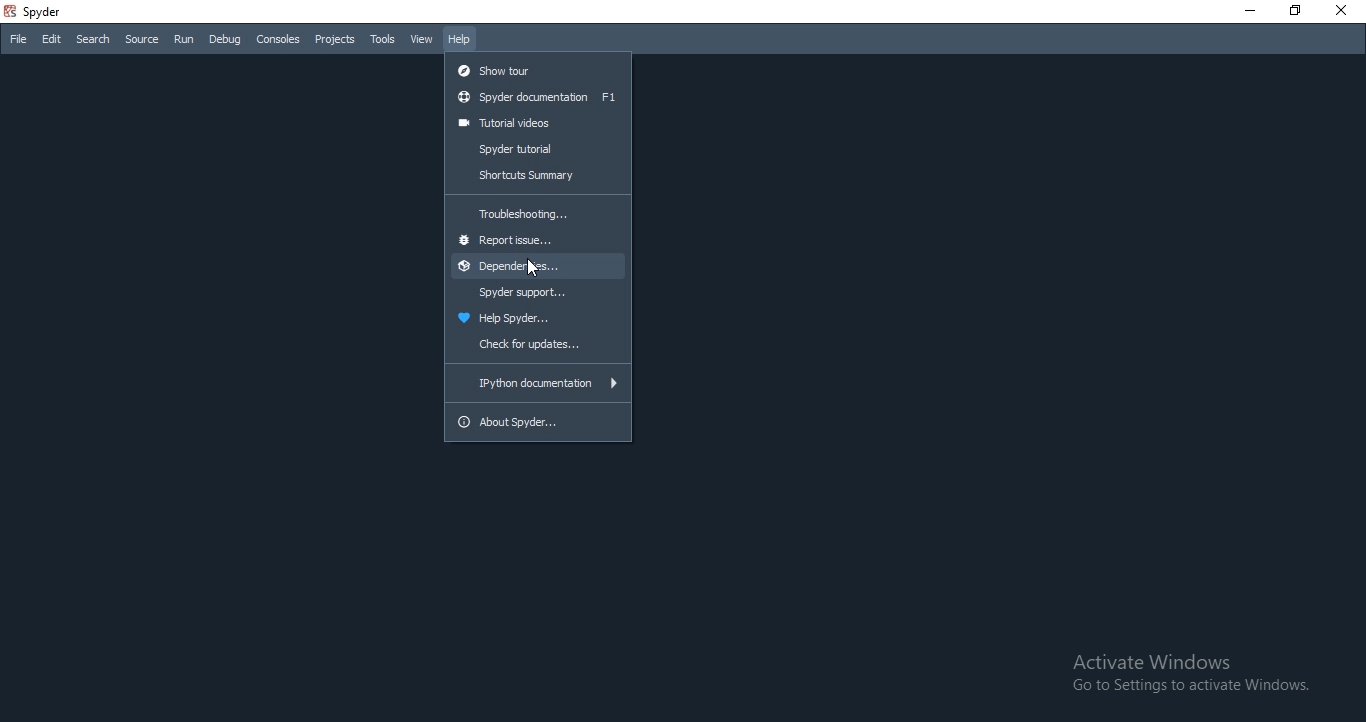 The image size is (1366, 722). I want to click on Edit, so click(52, 40).